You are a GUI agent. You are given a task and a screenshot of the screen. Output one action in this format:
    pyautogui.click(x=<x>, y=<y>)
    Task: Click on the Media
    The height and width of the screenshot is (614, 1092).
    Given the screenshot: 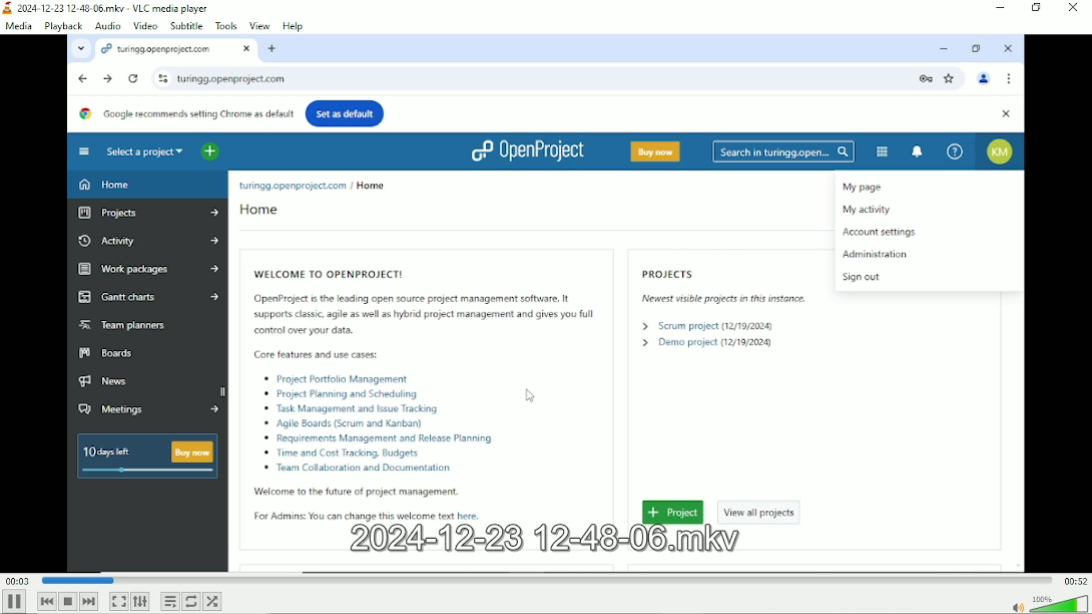 What is the action you would take?
    pyautogui.click(x=18, y=26)
    